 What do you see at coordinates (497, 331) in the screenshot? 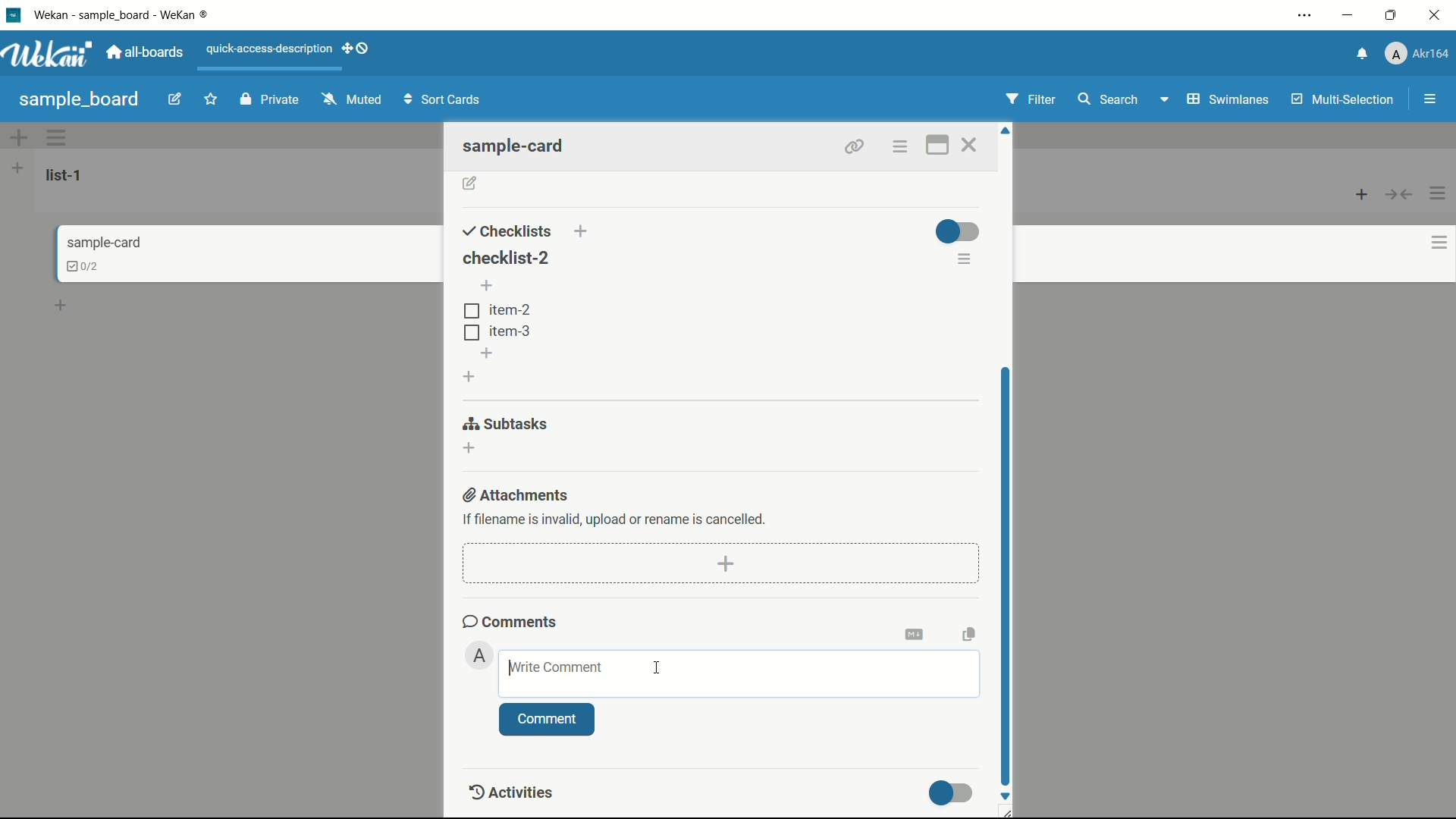
I see `tem-3` at bounding box center [497, 331].